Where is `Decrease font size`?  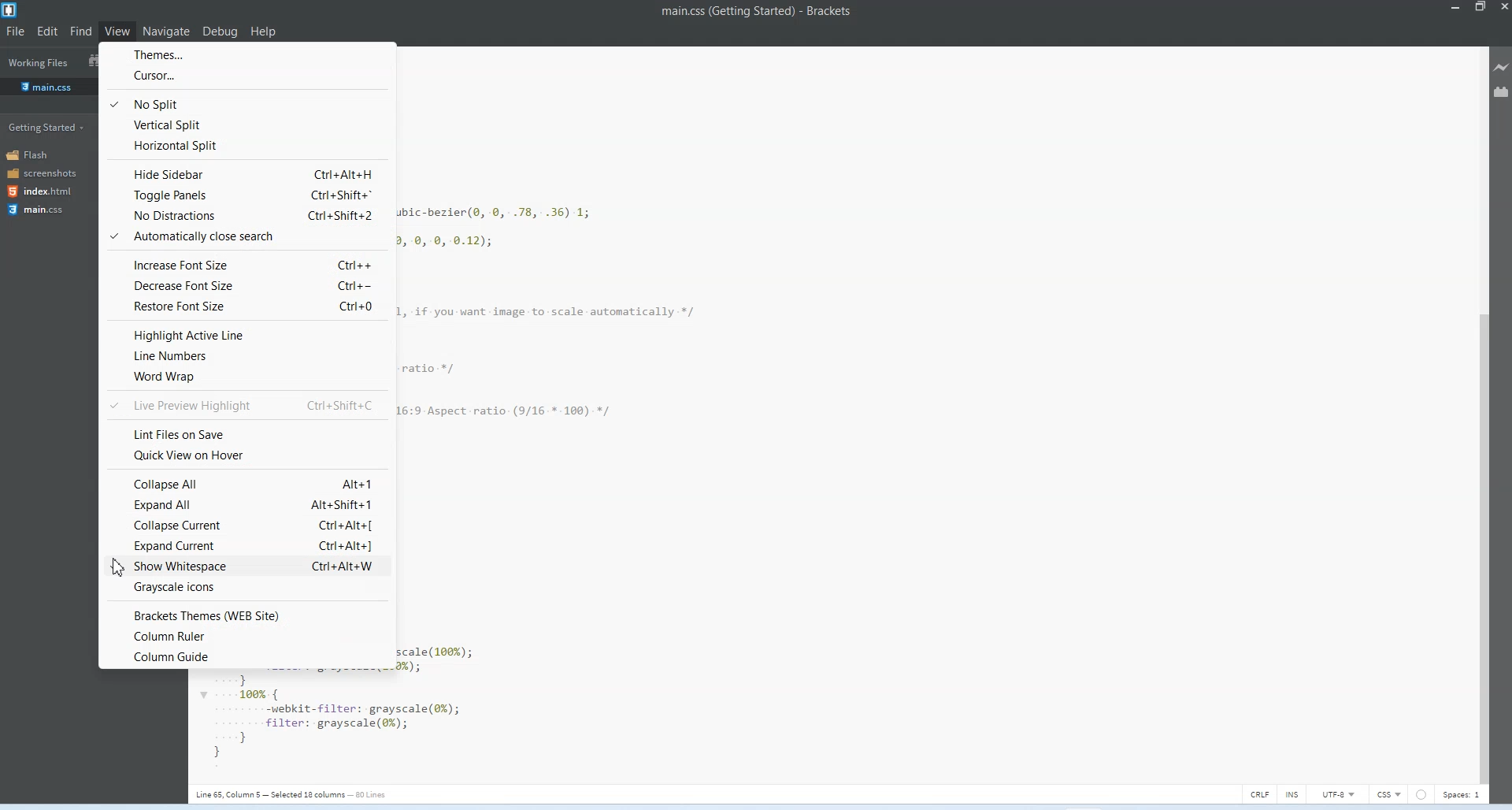
Decrease font size is located at coordinates (243, 285).